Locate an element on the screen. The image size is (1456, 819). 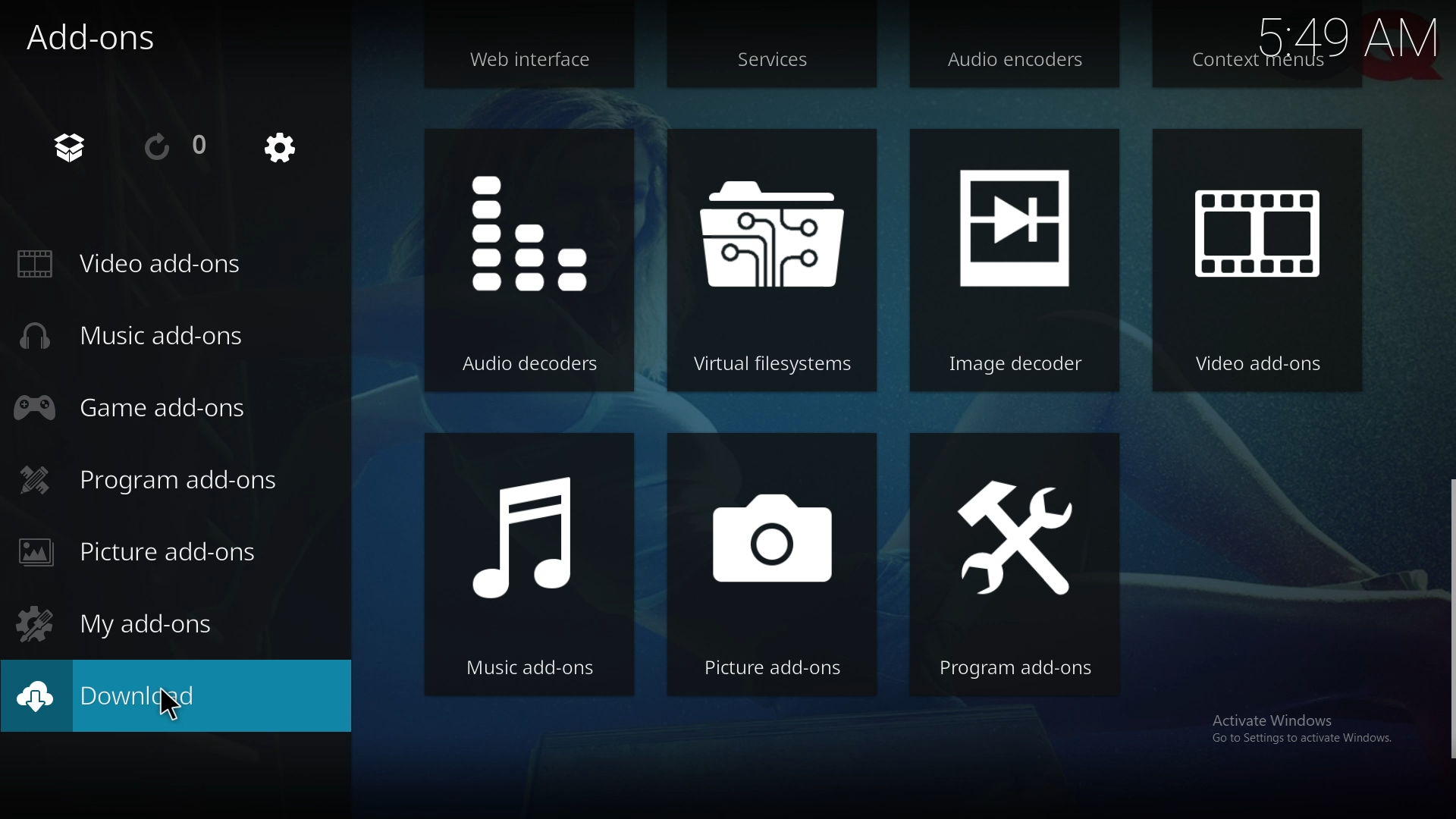
program add ons is located at coordinates (1018, 566).